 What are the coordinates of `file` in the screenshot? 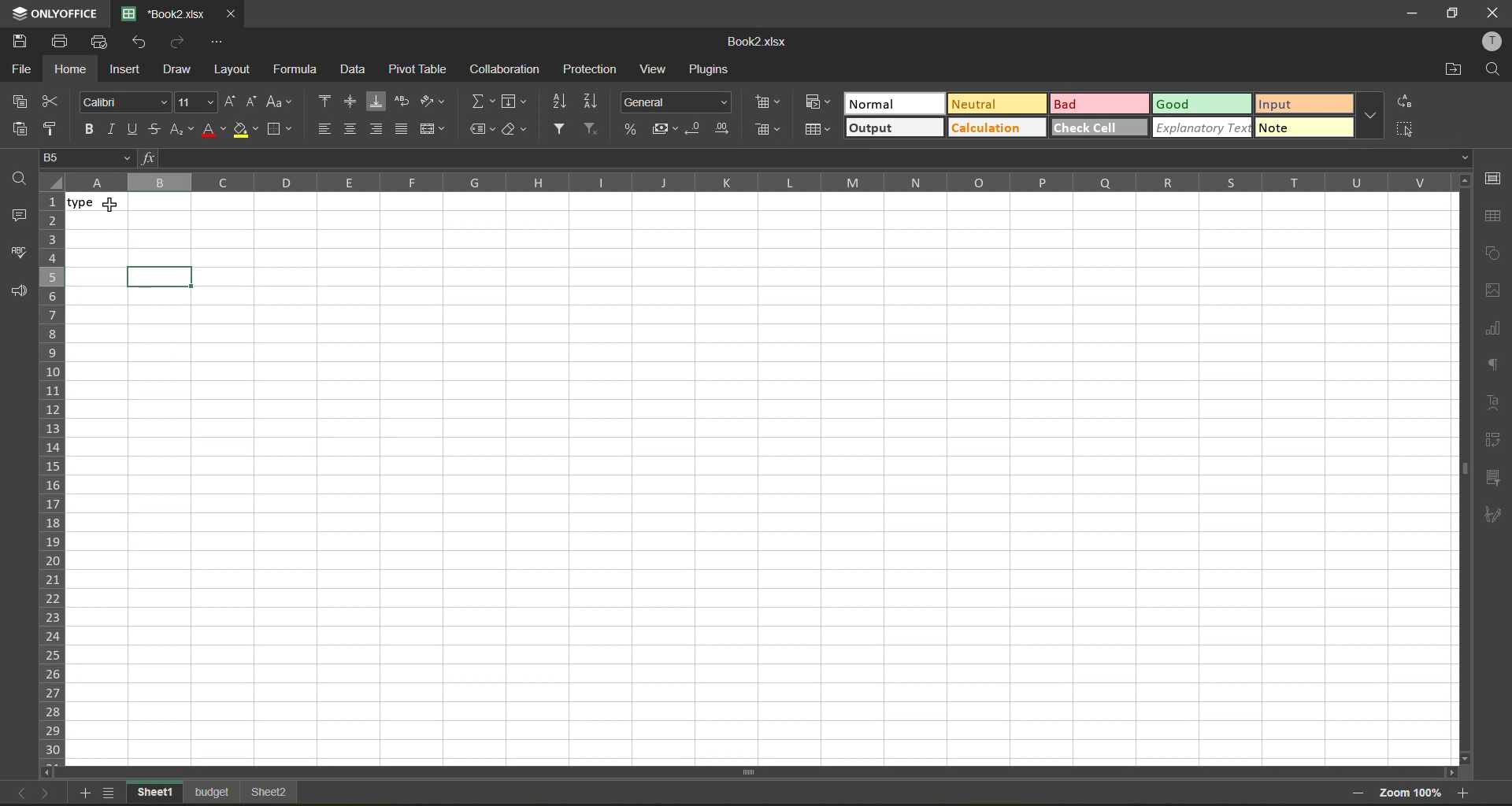 It's located at (22, 70).